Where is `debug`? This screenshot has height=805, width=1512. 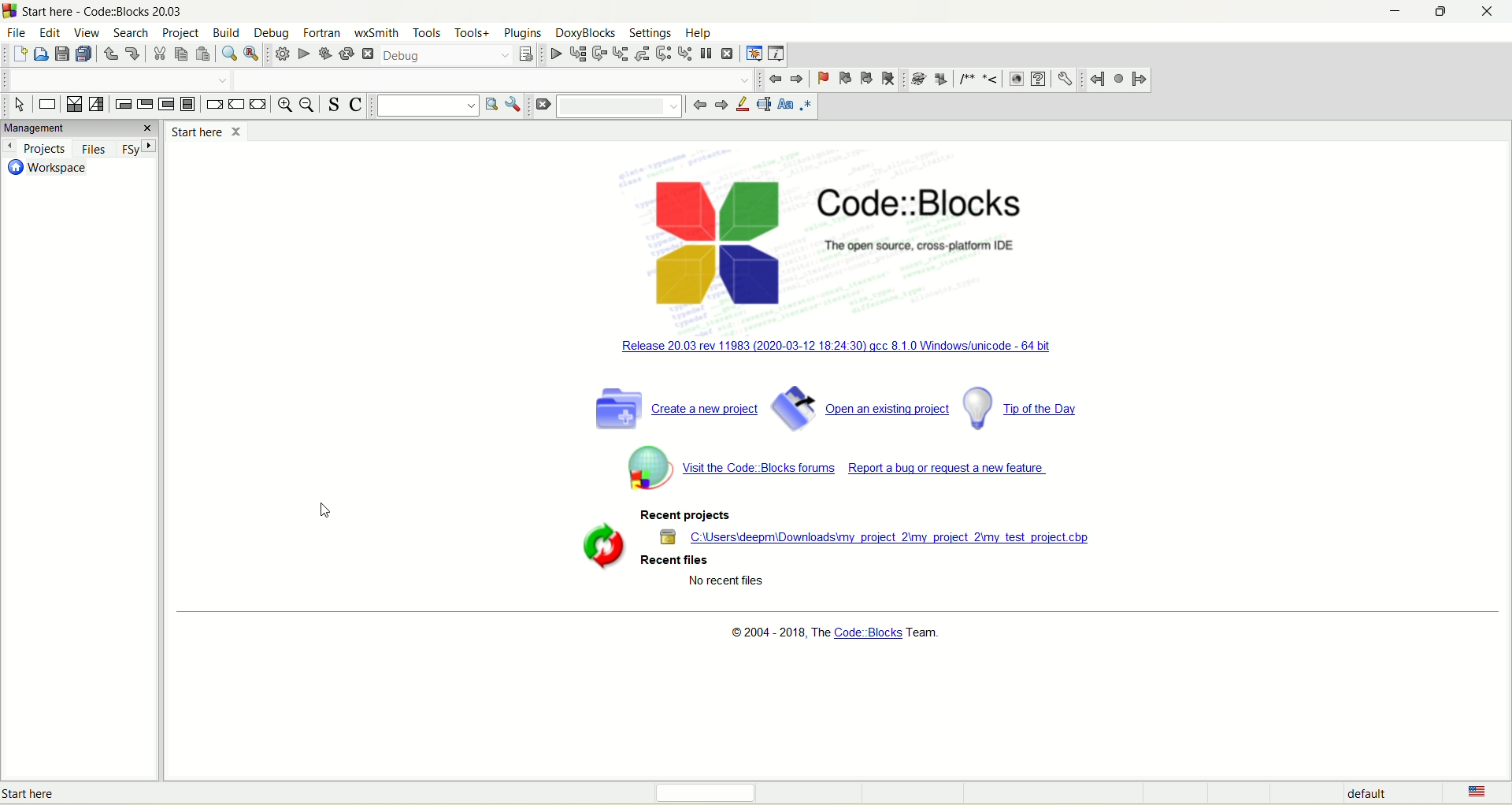 debug is located at coordinates (277, 34).